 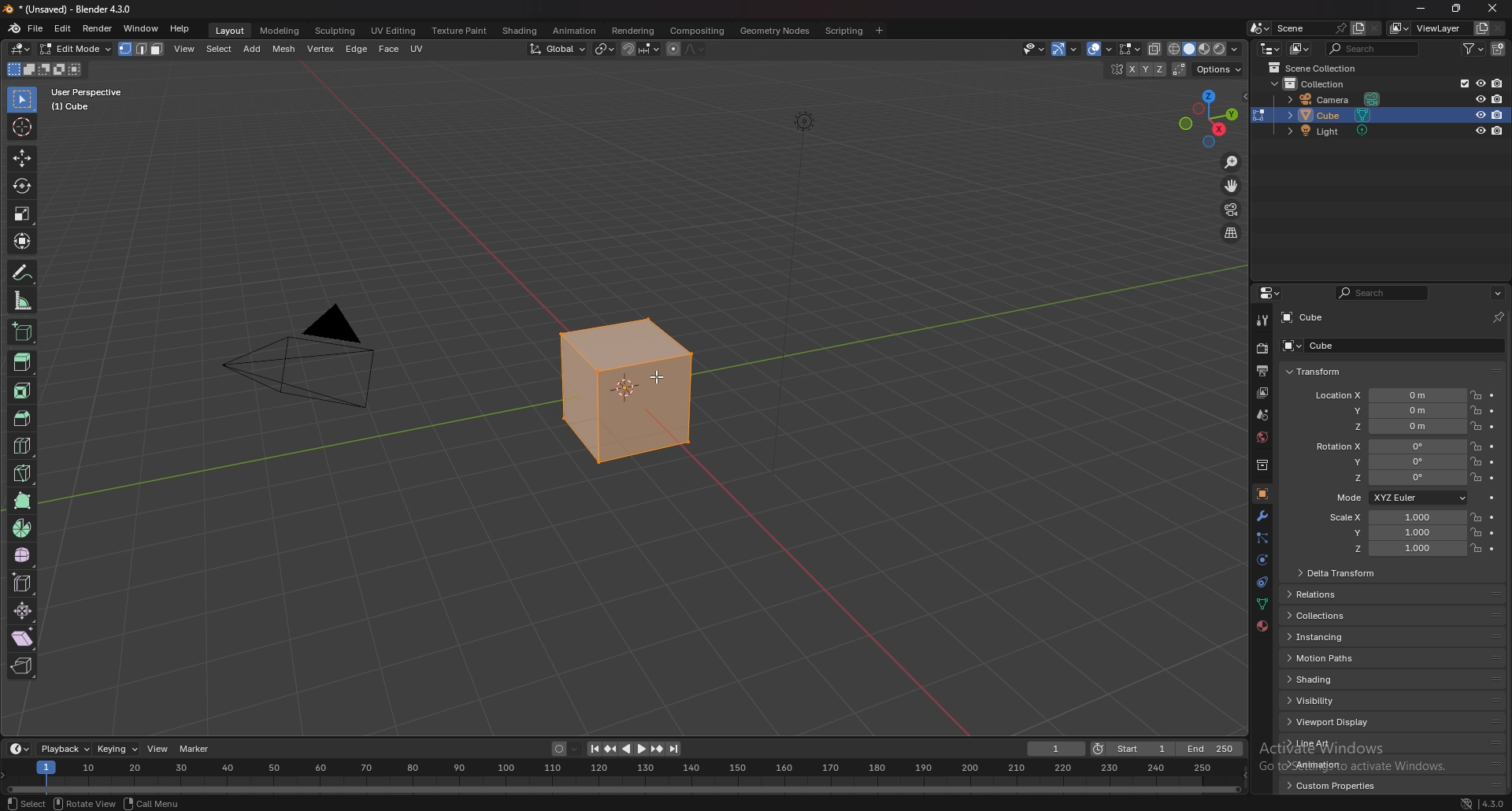 I want to click on jump to endpoint, so click(x=674, y=748).